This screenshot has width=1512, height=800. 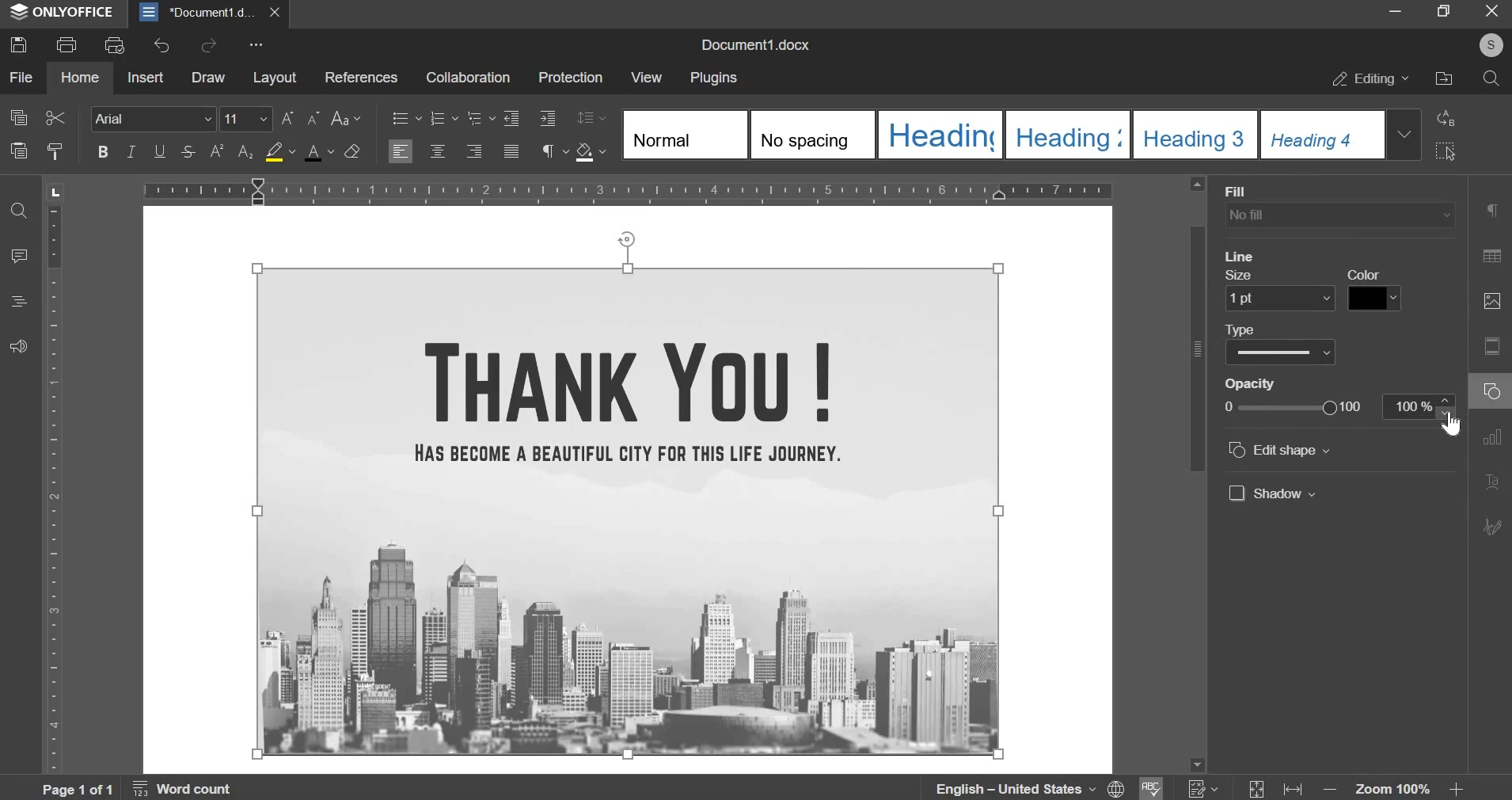 What do you see at coordinates (468, 77) in the screenshot?
I see `collaboration` at bounding box center [468, 77].